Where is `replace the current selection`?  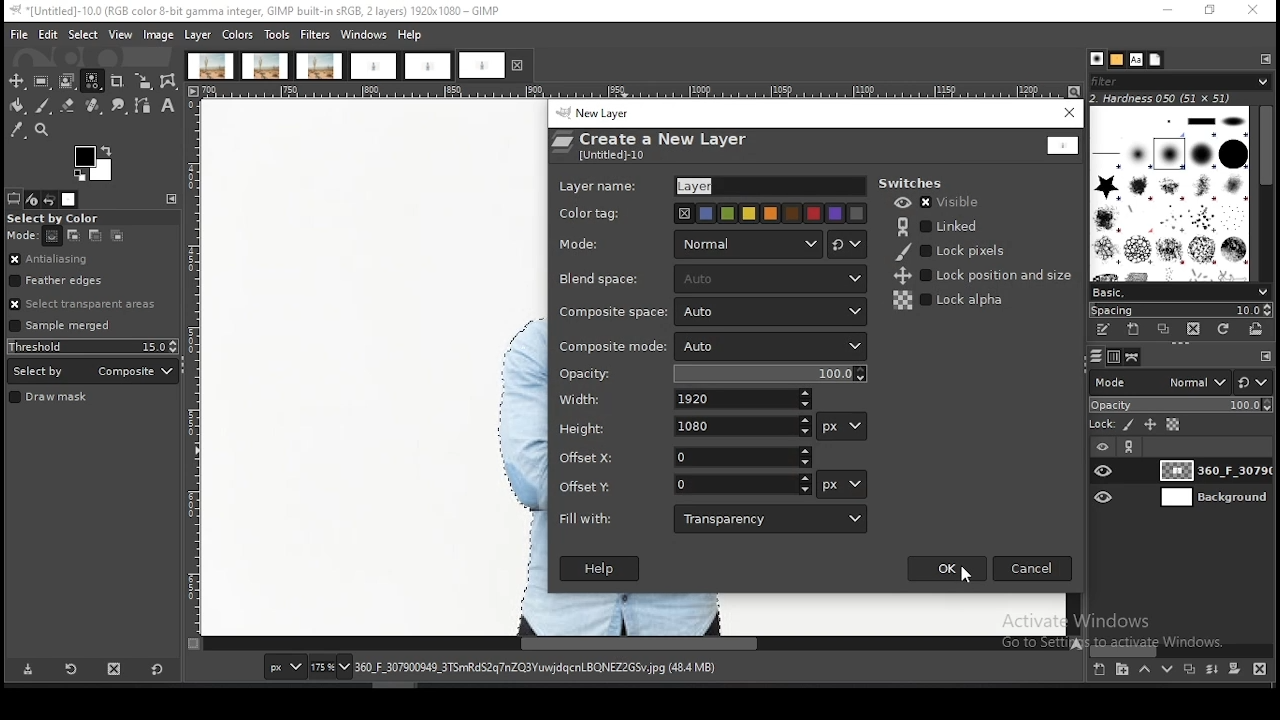 replace the current selection is located at coordinates (54, 237).